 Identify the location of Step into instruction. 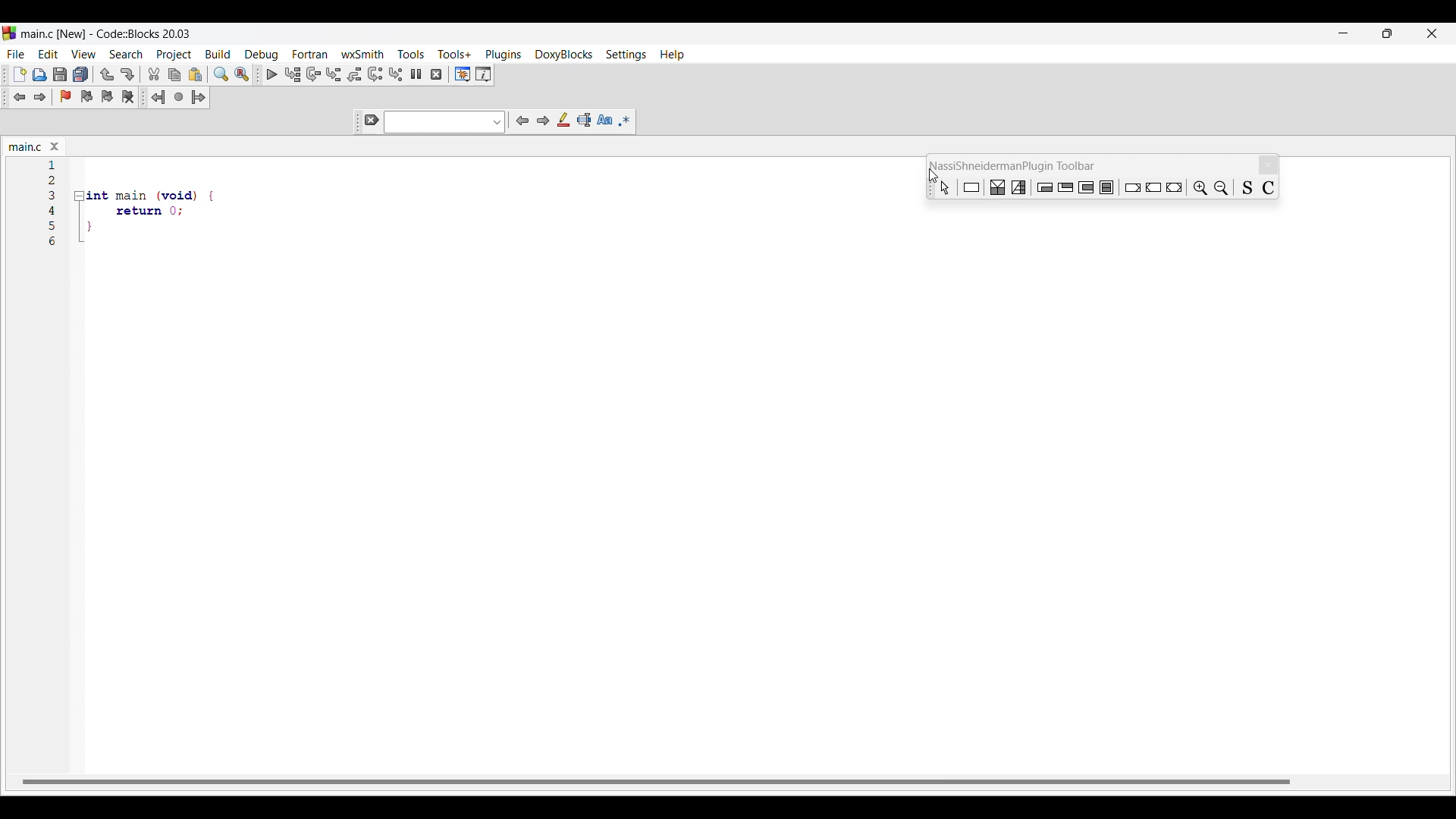
(396, 74).